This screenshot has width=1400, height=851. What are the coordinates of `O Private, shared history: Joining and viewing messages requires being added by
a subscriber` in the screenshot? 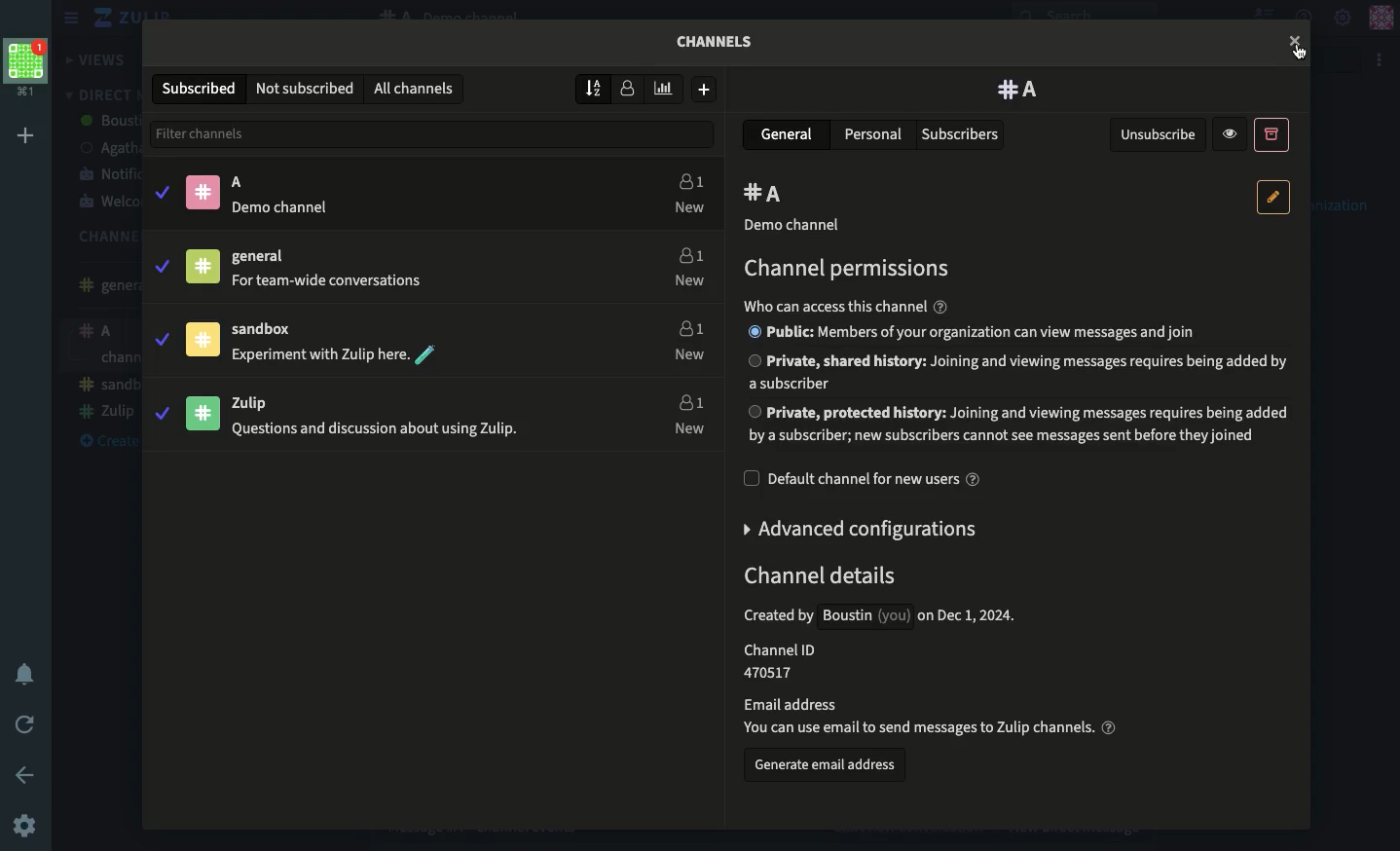 It's located at (1018, 370).